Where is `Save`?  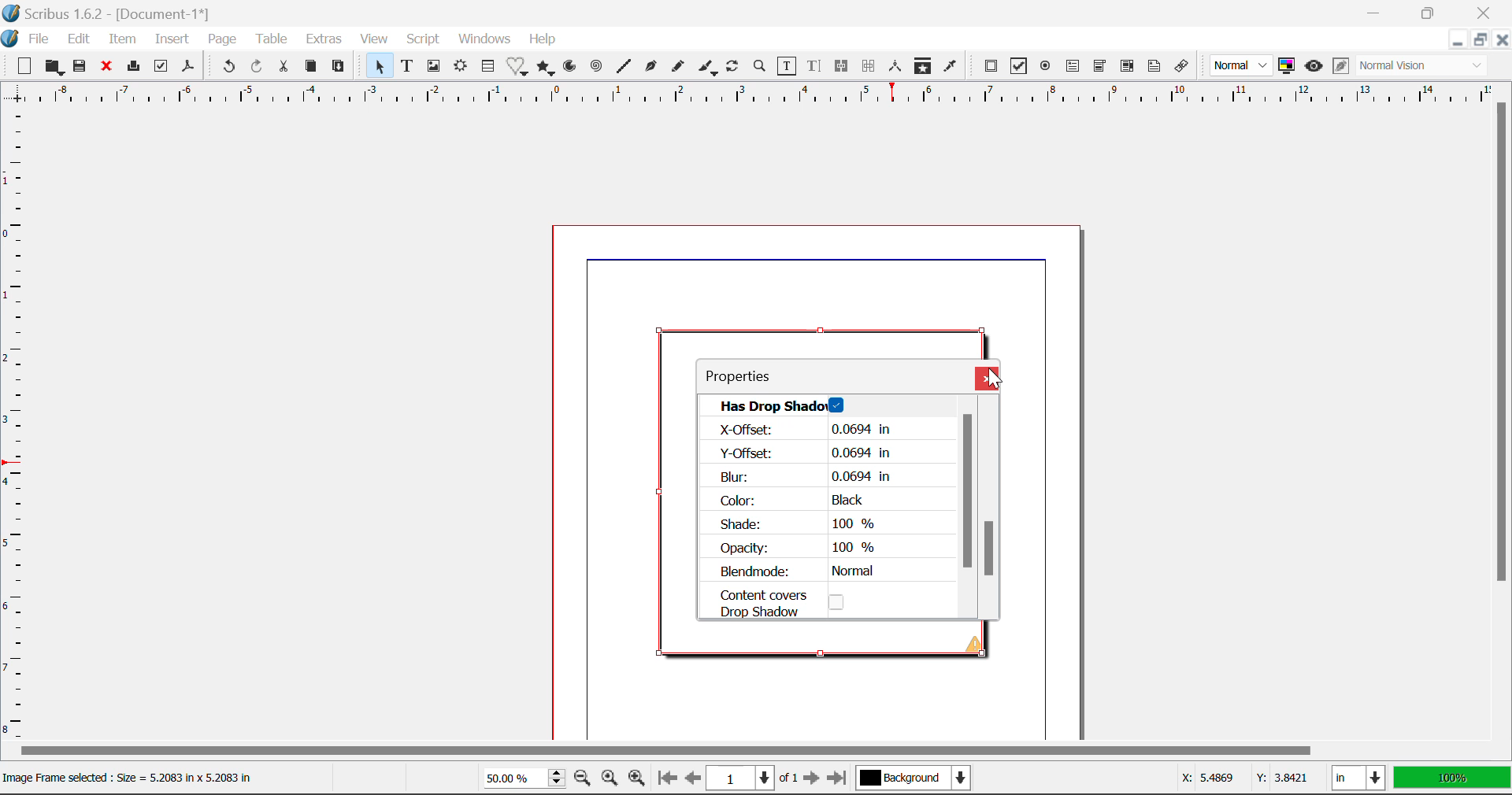 Save is located at coordinates (81, 68).